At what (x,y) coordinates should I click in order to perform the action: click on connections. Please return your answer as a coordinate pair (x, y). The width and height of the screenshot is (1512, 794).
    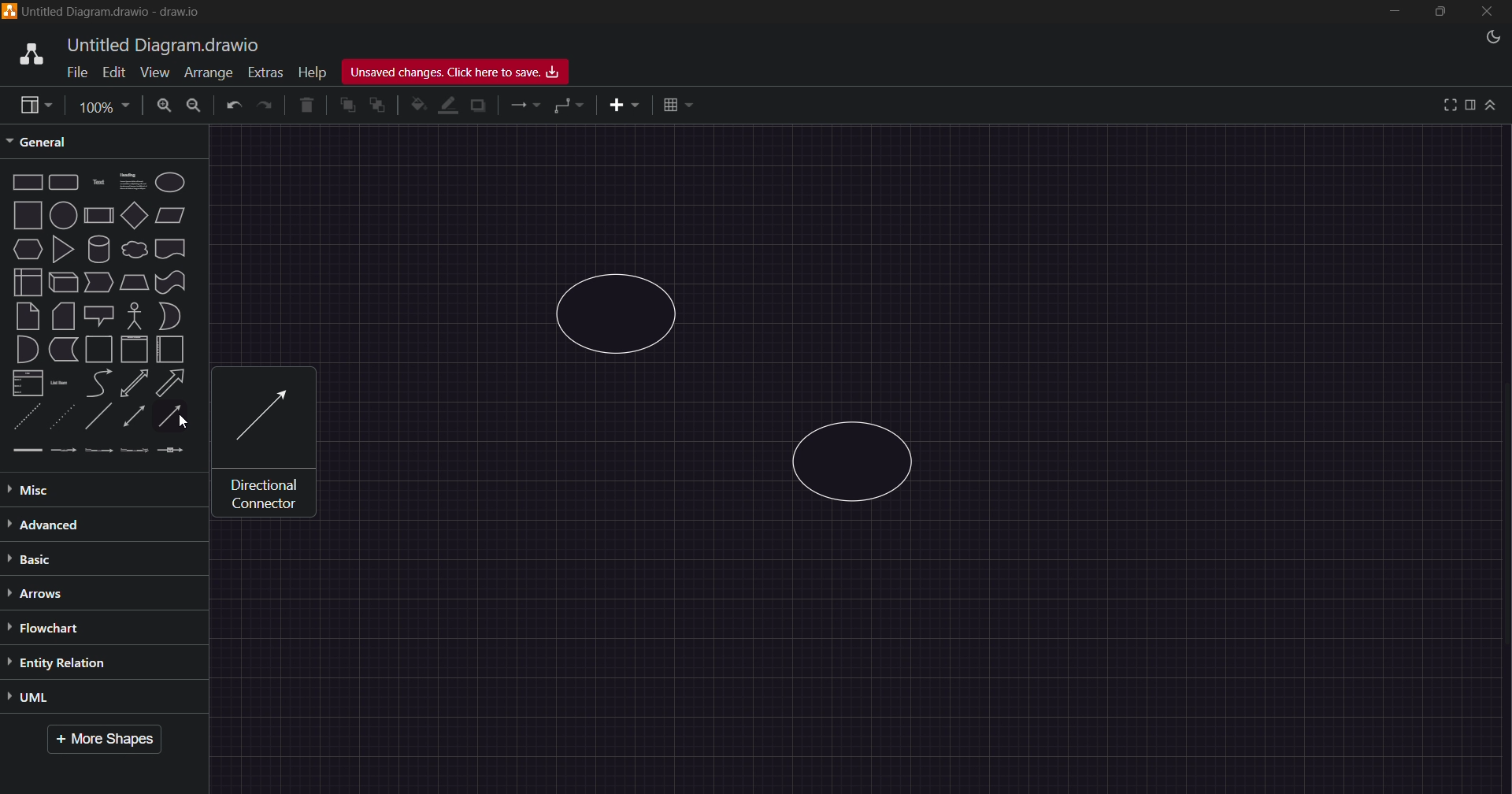
    Looking at the image, I should click on (524, 106).